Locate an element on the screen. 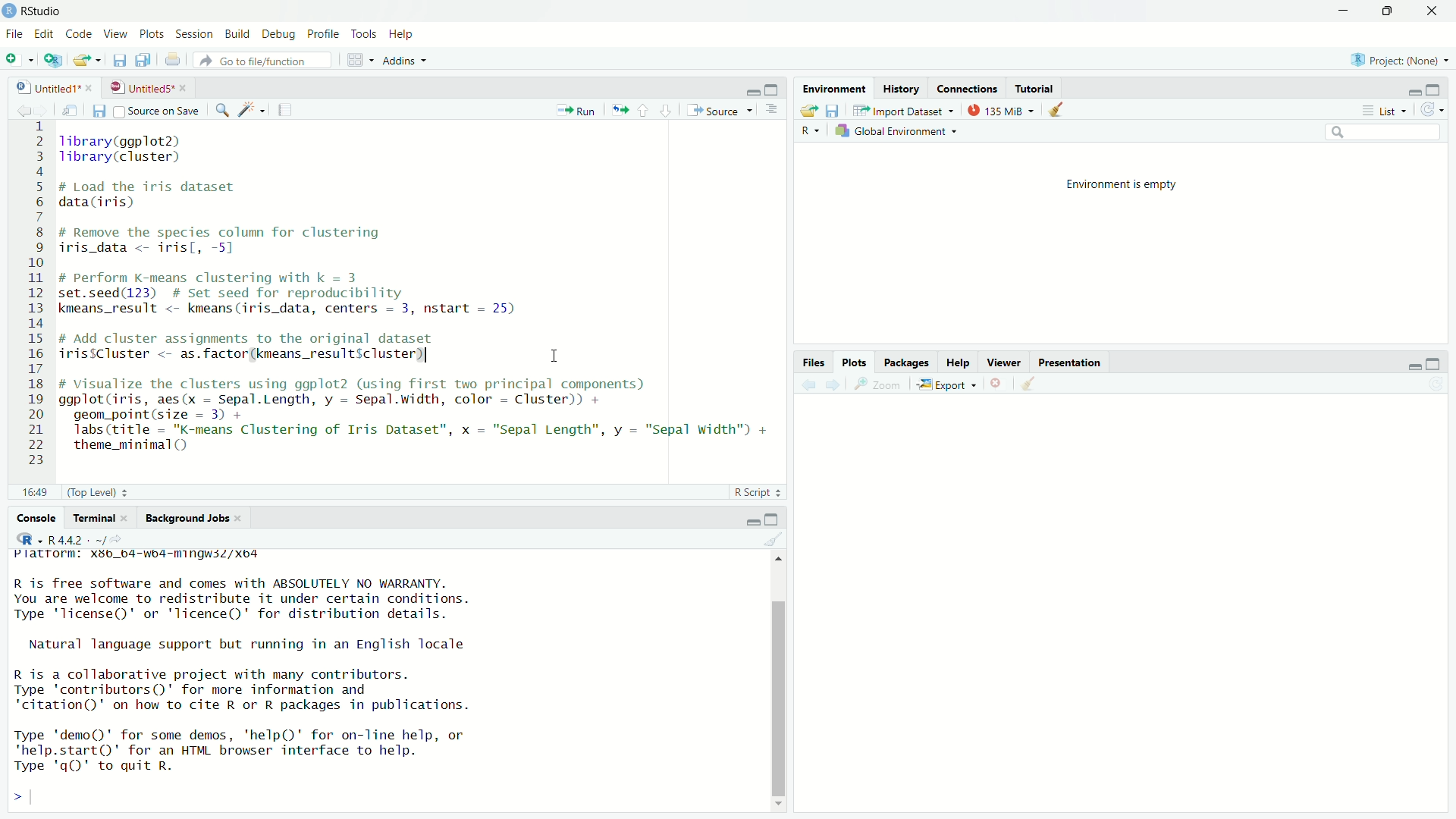  new file is located at coordinates (18, 58).